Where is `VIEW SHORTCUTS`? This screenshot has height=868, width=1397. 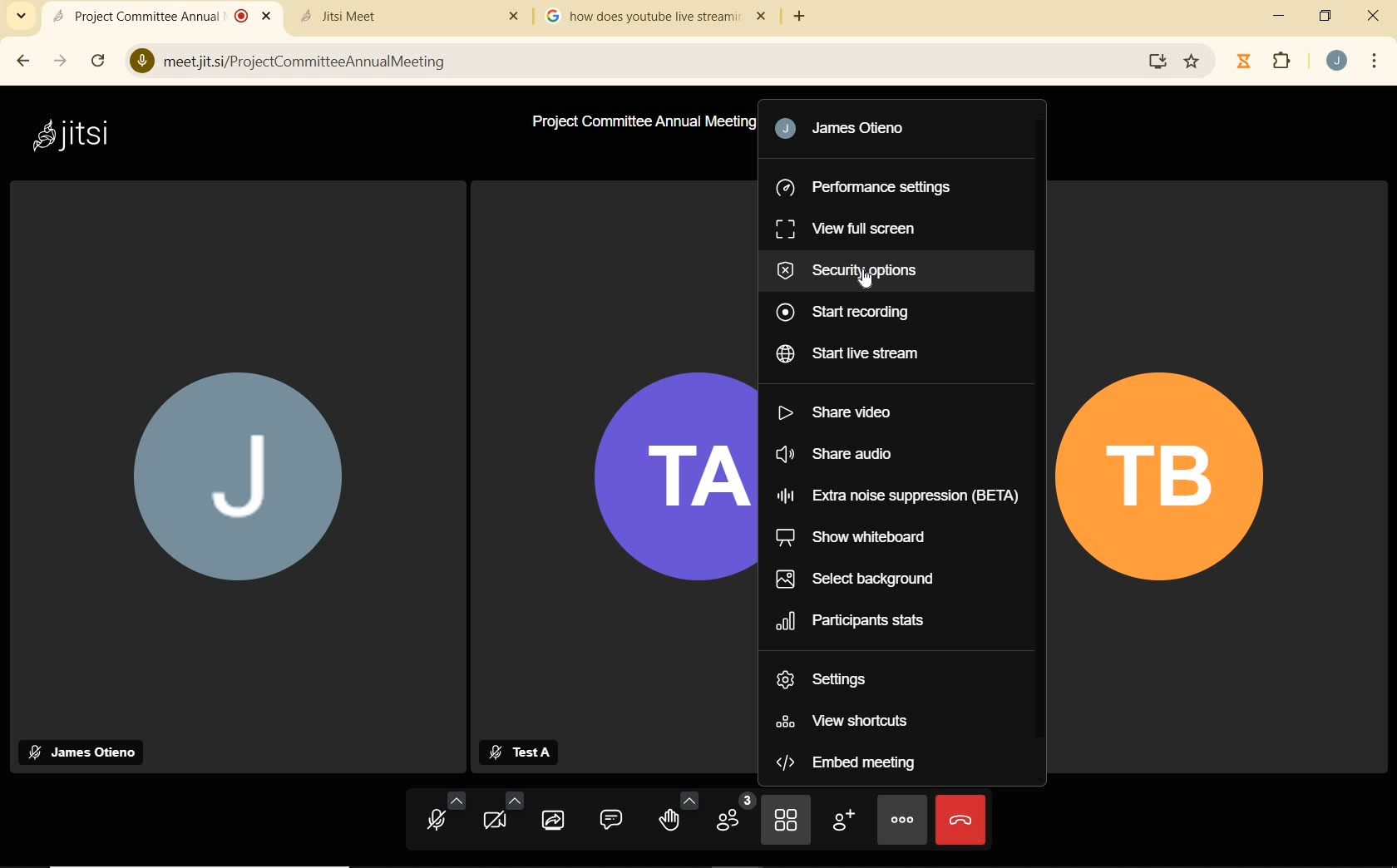 VIEW SHORTCUTS is located at coordinates (847, 719).